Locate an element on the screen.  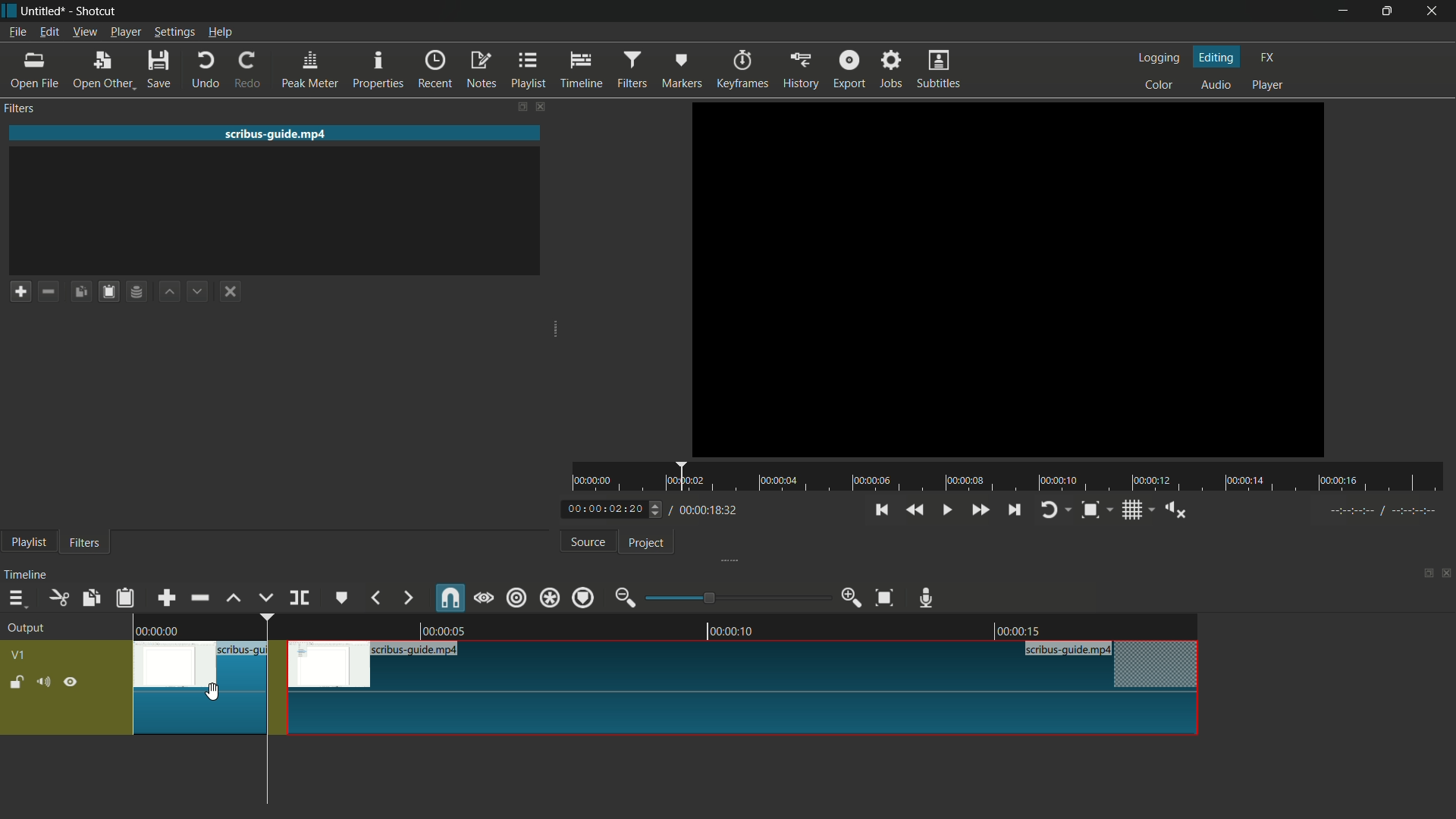
adjustment bar is located at coordinates (737, 598).